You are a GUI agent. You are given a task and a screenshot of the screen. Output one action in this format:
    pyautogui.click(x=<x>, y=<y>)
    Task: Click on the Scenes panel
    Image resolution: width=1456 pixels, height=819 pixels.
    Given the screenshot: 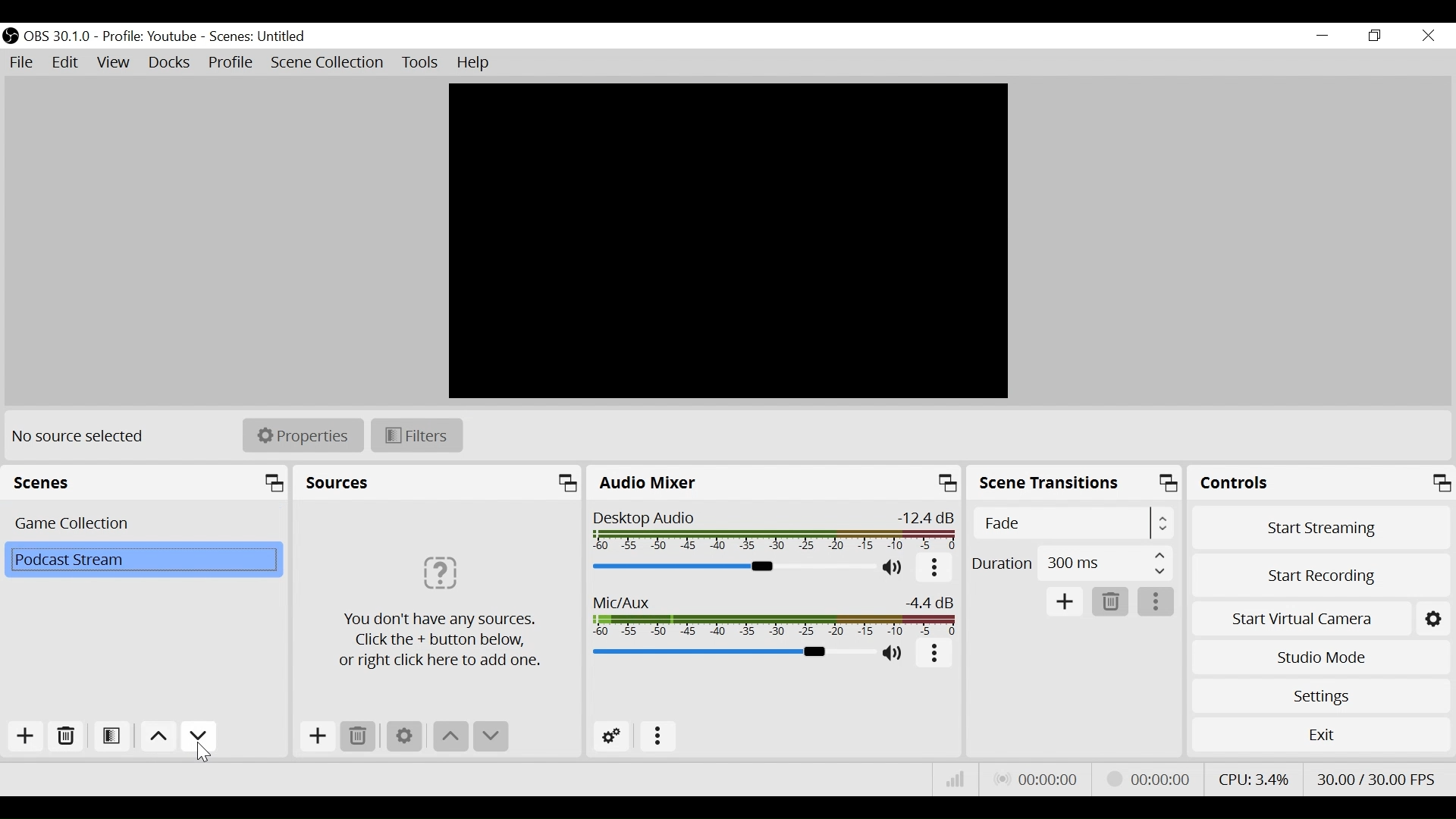 What is the action you would take?
    pyautogui.click(x=147, y=483)
    